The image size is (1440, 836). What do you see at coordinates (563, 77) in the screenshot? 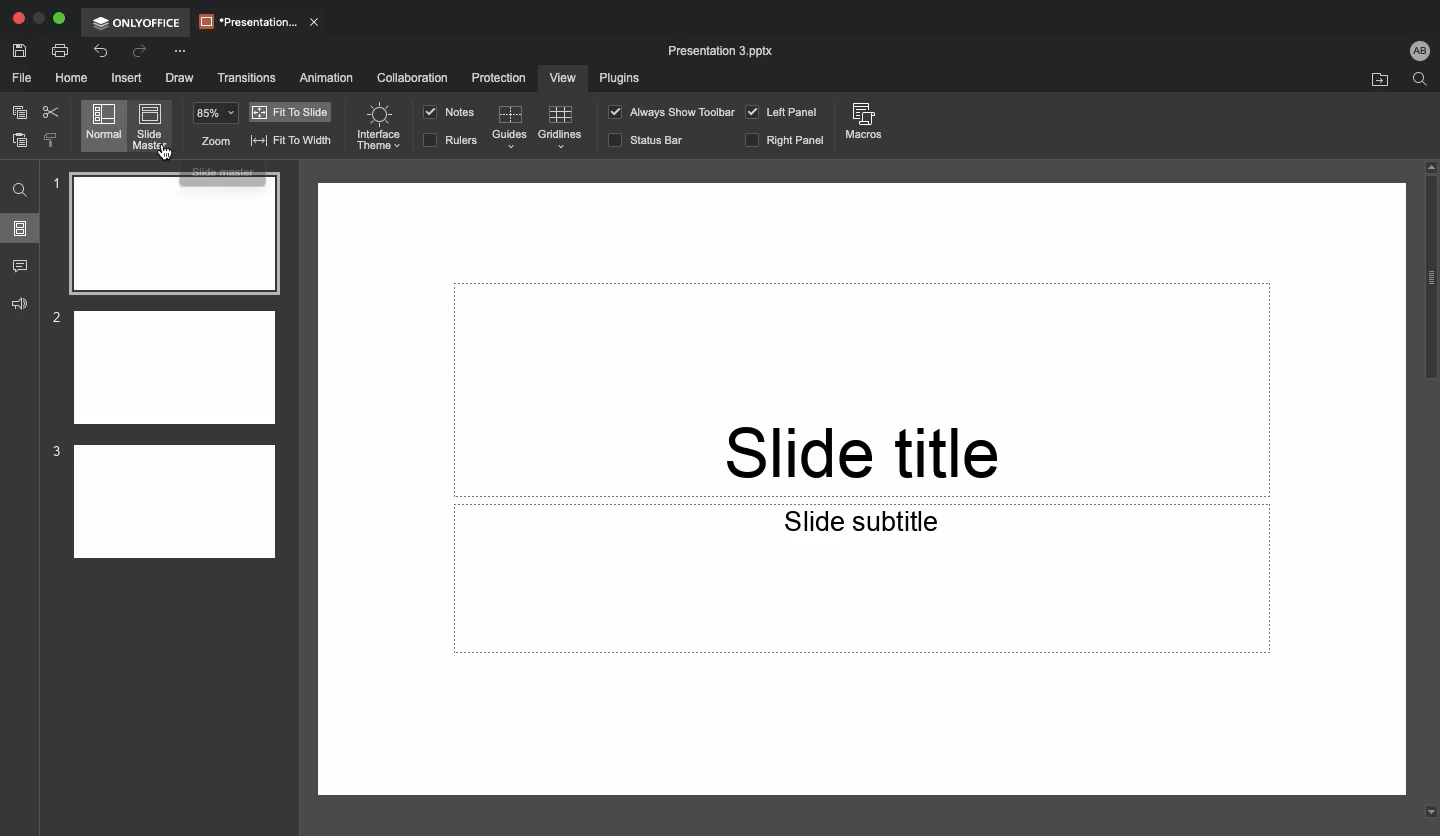
I see `View` at bounding box center [563, 77].